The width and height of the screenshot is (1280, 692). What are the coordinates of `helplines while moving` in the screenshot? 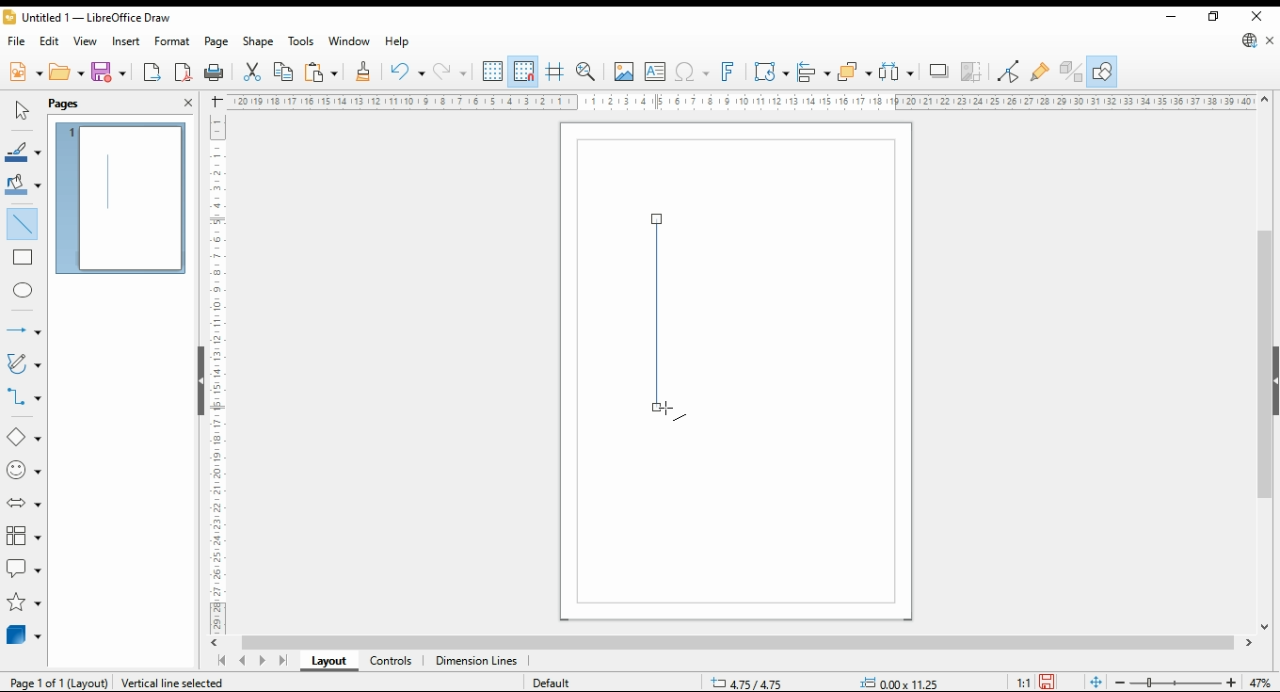 It's located at (554, 72).